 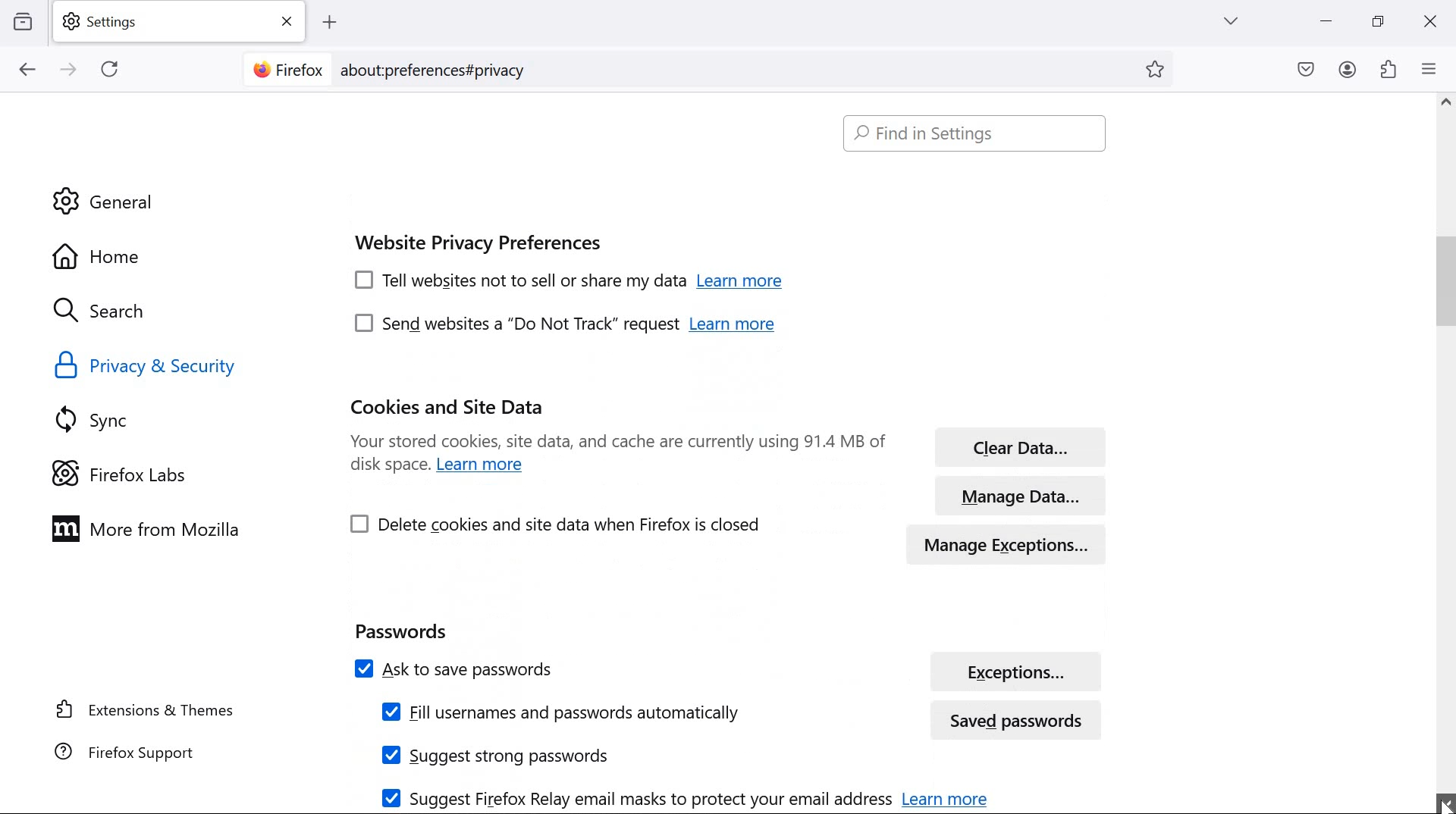 I want to click on Suggest Firefox Relay email masks to protect your email address, so click(x=635, y=799).